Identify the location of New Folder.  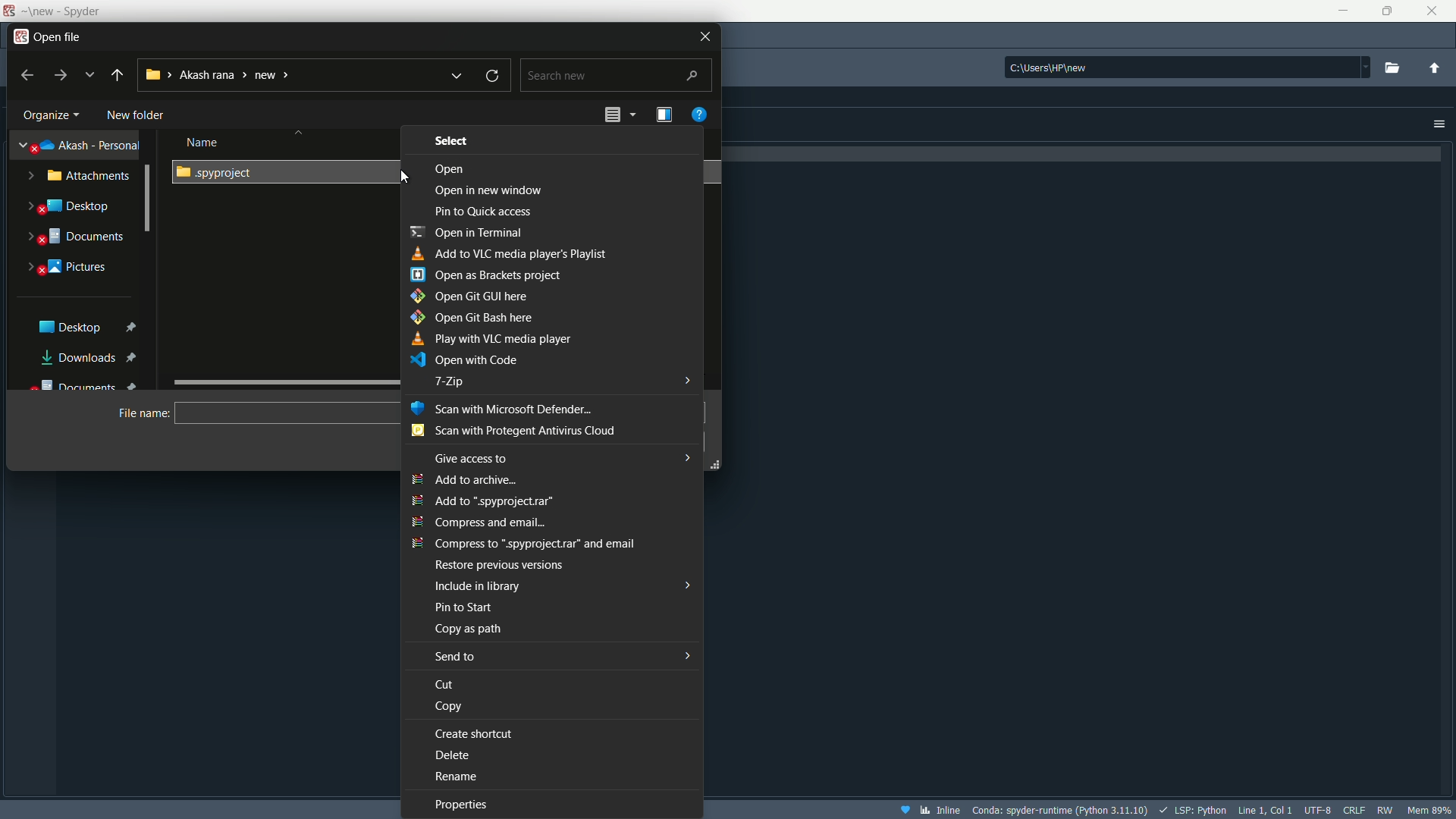
(139, 115).